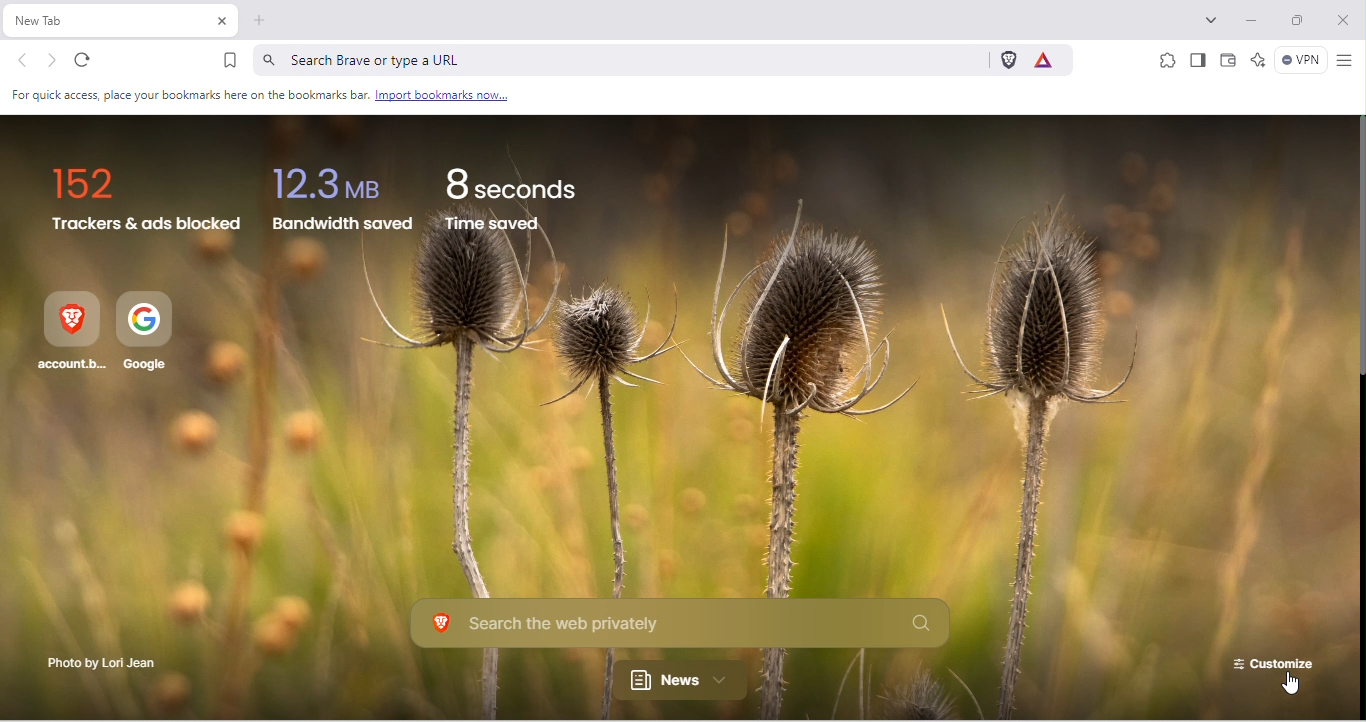 The image size is (1366, 722). I want to click on Brave rewards, so click(1049, 59).